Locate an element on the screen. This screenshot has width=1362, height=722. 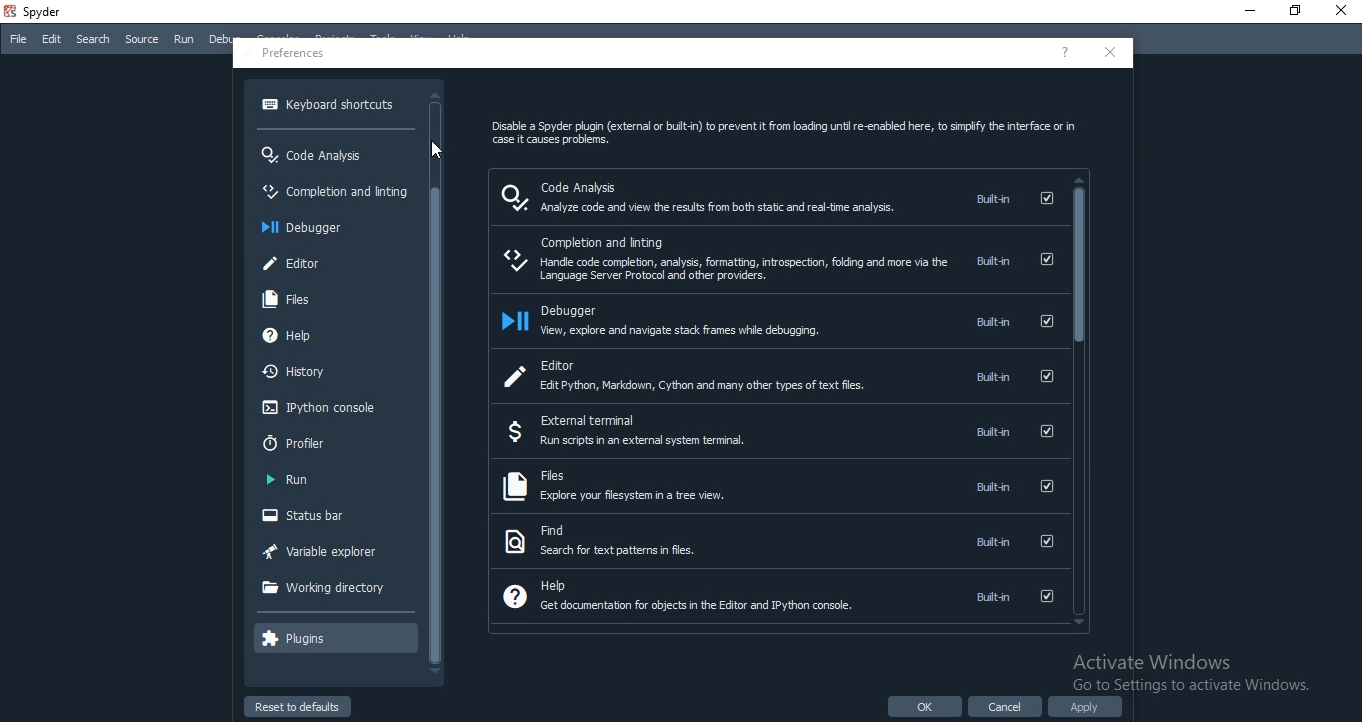
code analysis is located at coordinates (334, 152).